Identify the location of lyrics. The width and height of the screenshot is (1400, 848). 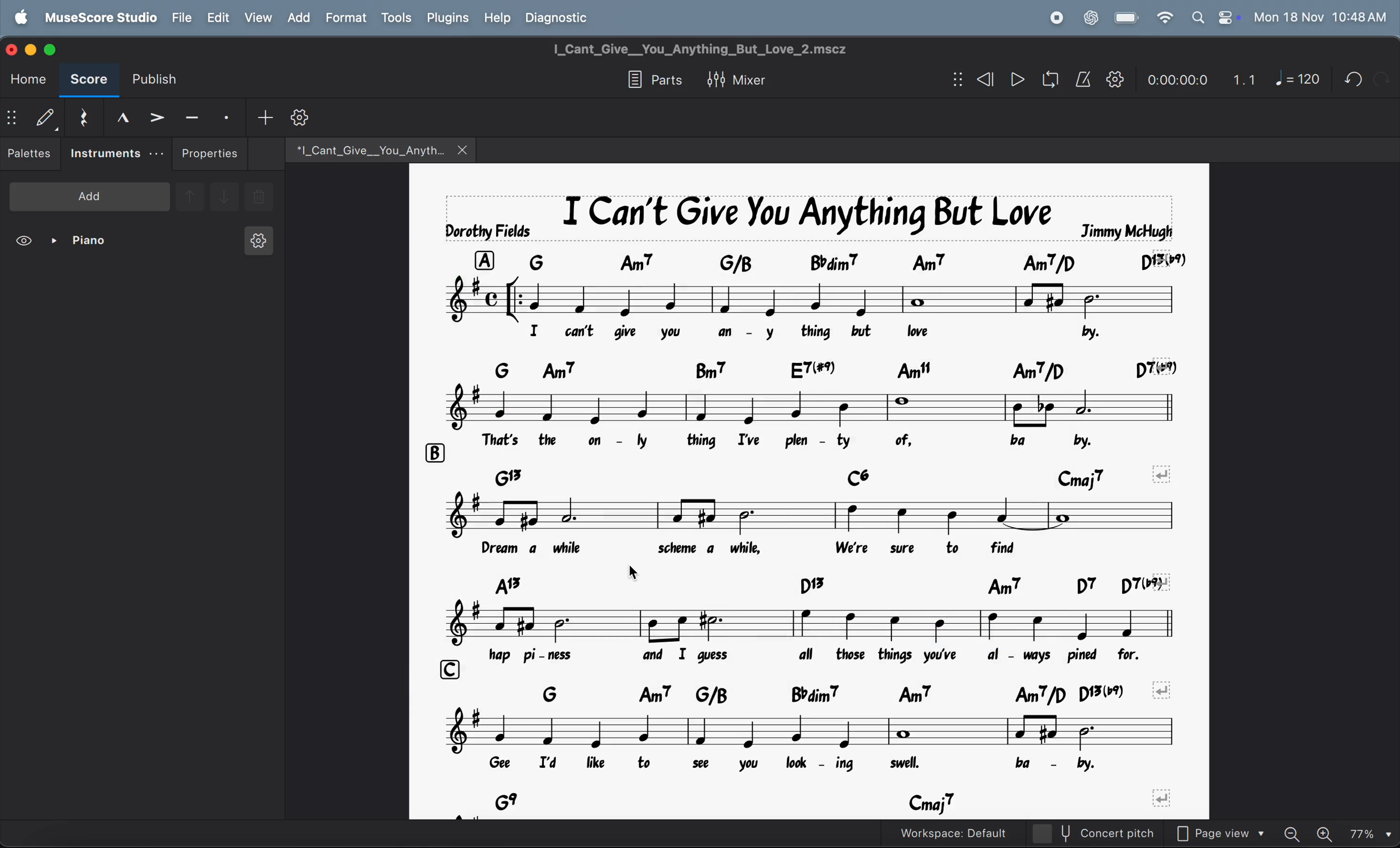
(829, 653).